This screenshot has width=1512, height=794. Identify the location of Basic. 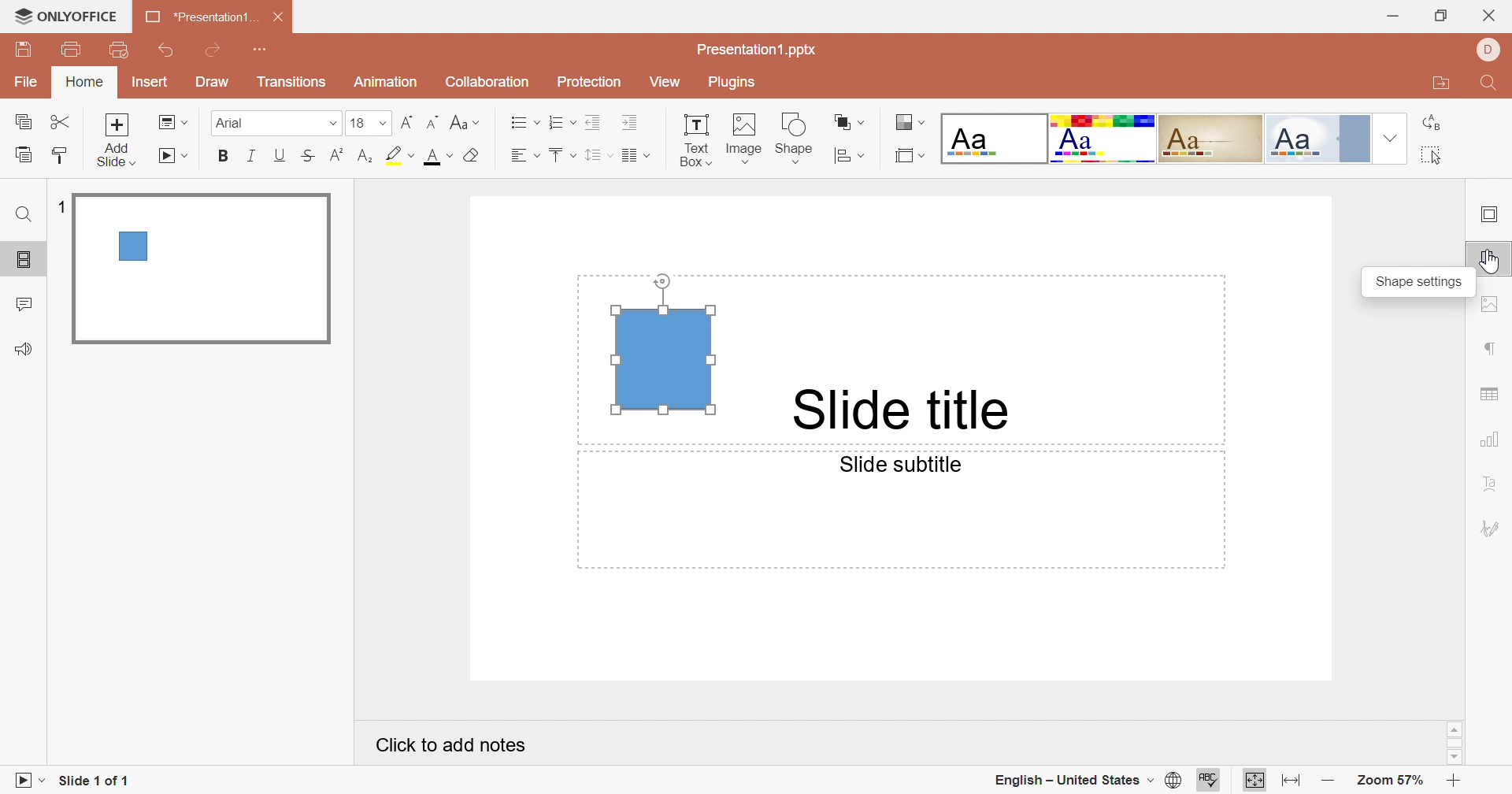
(1104, 138).